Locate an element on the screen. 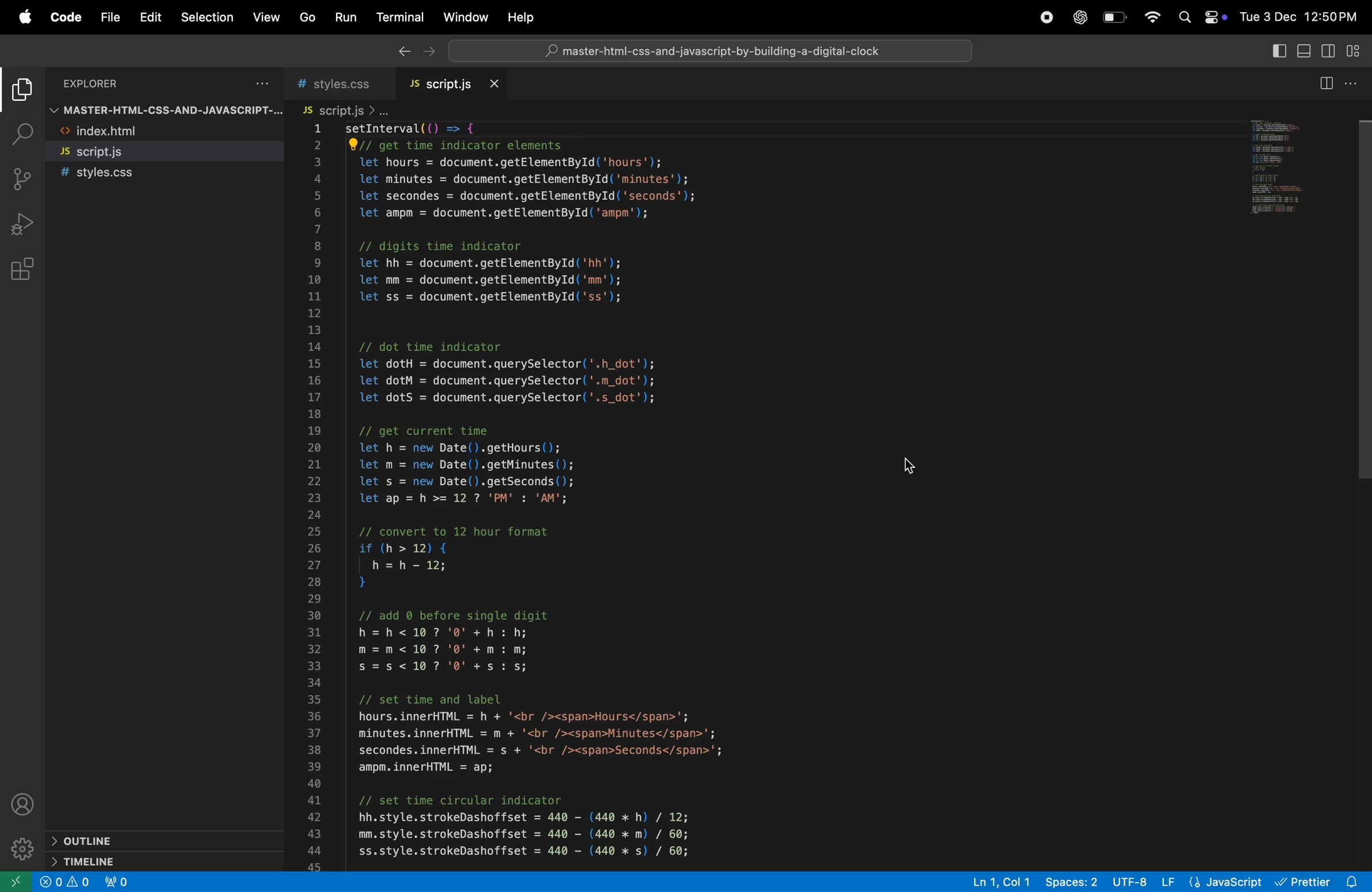 The width and height of the screenshot is (1372, 892). selection is located at coordinates (208, 17).